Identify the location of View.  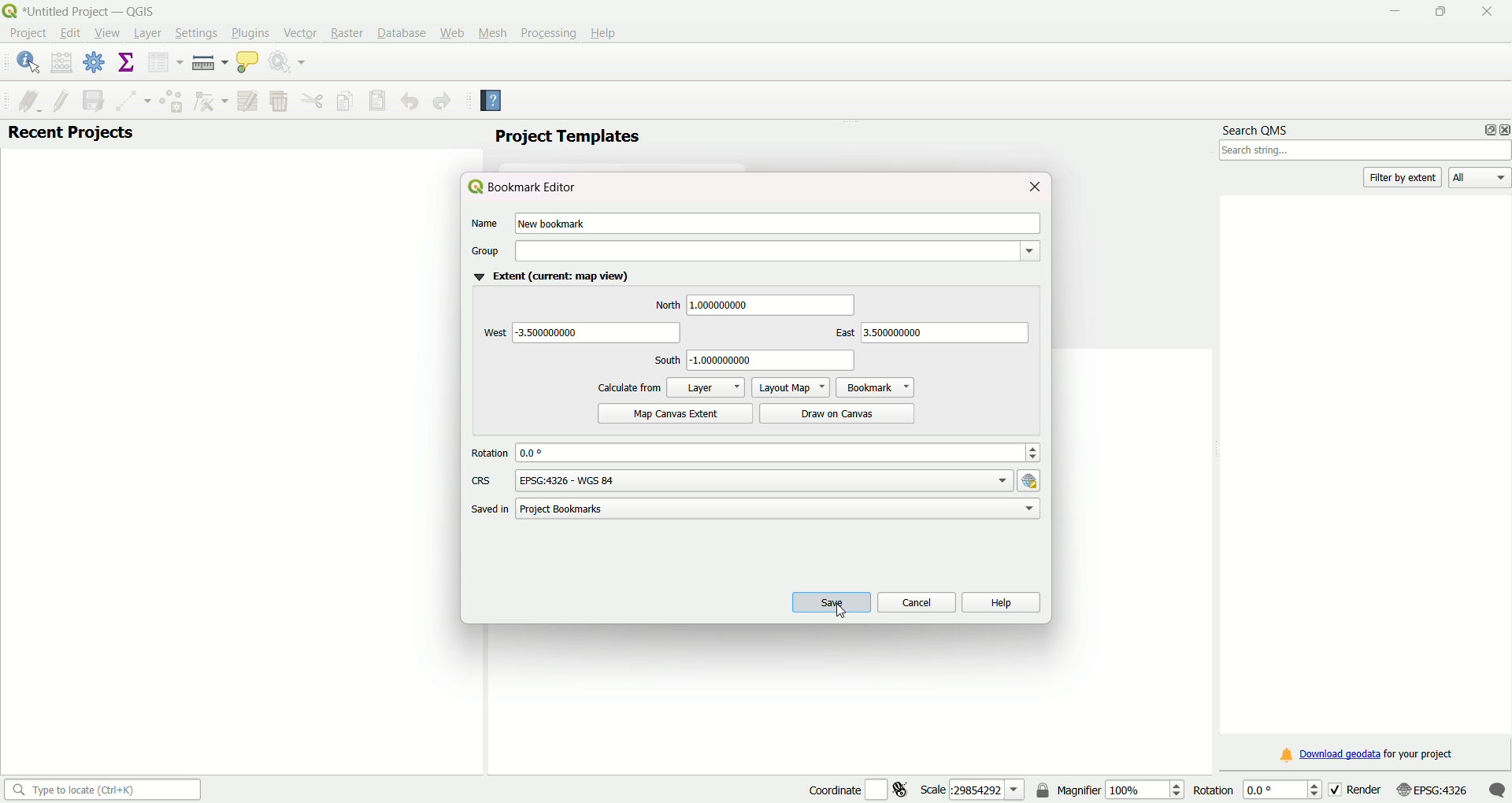
(107, 35).